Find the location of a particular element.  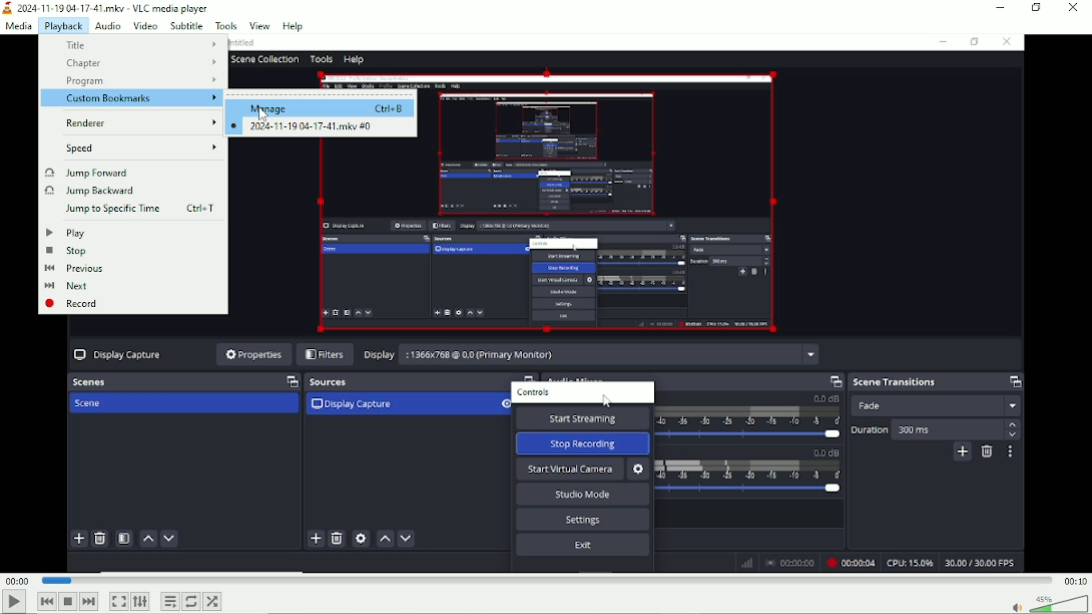

2024-11-19 04-17.mkv - VLC media player is located at coordinates (108, 7).